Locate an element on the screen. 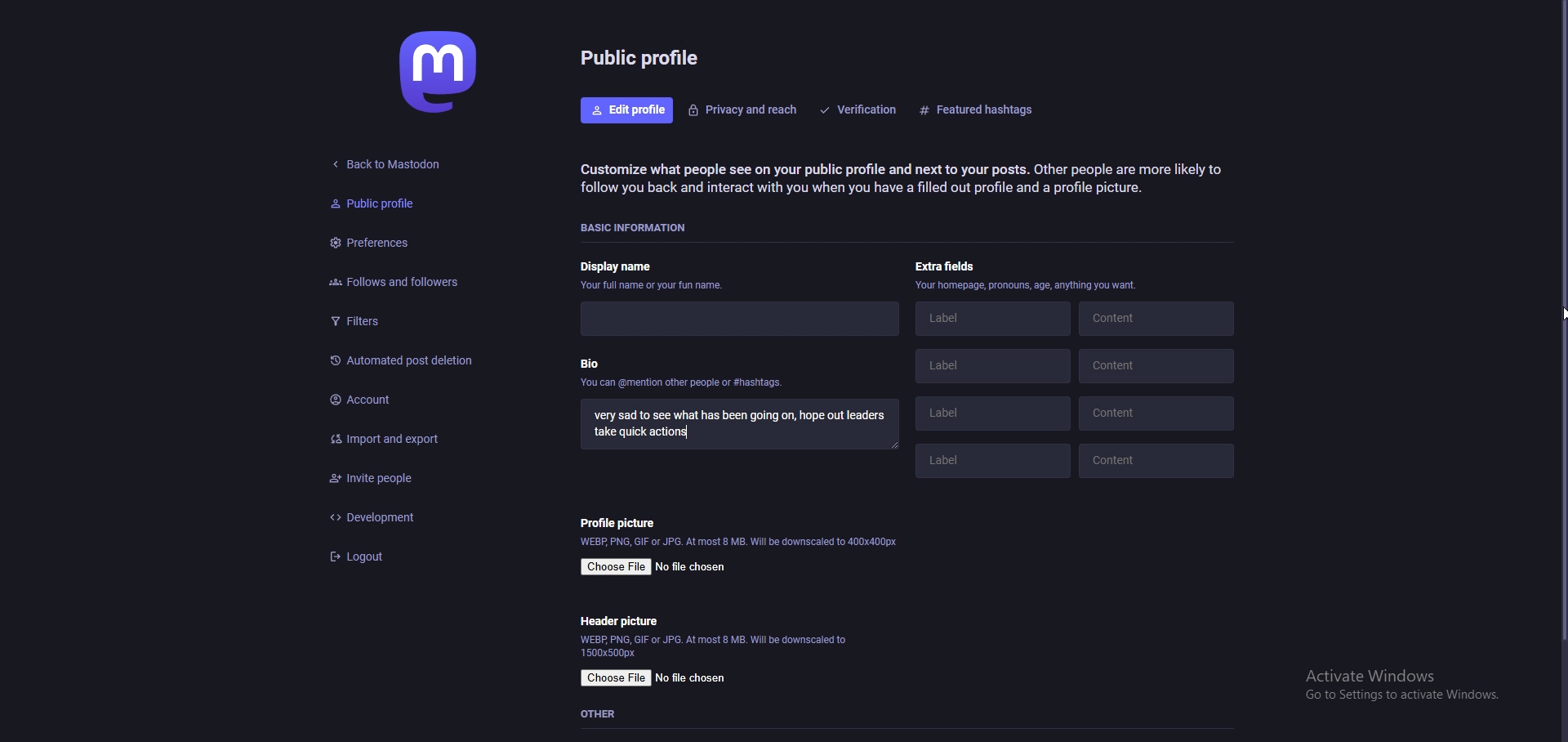 The width and height of the screenshot is (1568, 742). scroll bar is located at coordinates (1561, 324).